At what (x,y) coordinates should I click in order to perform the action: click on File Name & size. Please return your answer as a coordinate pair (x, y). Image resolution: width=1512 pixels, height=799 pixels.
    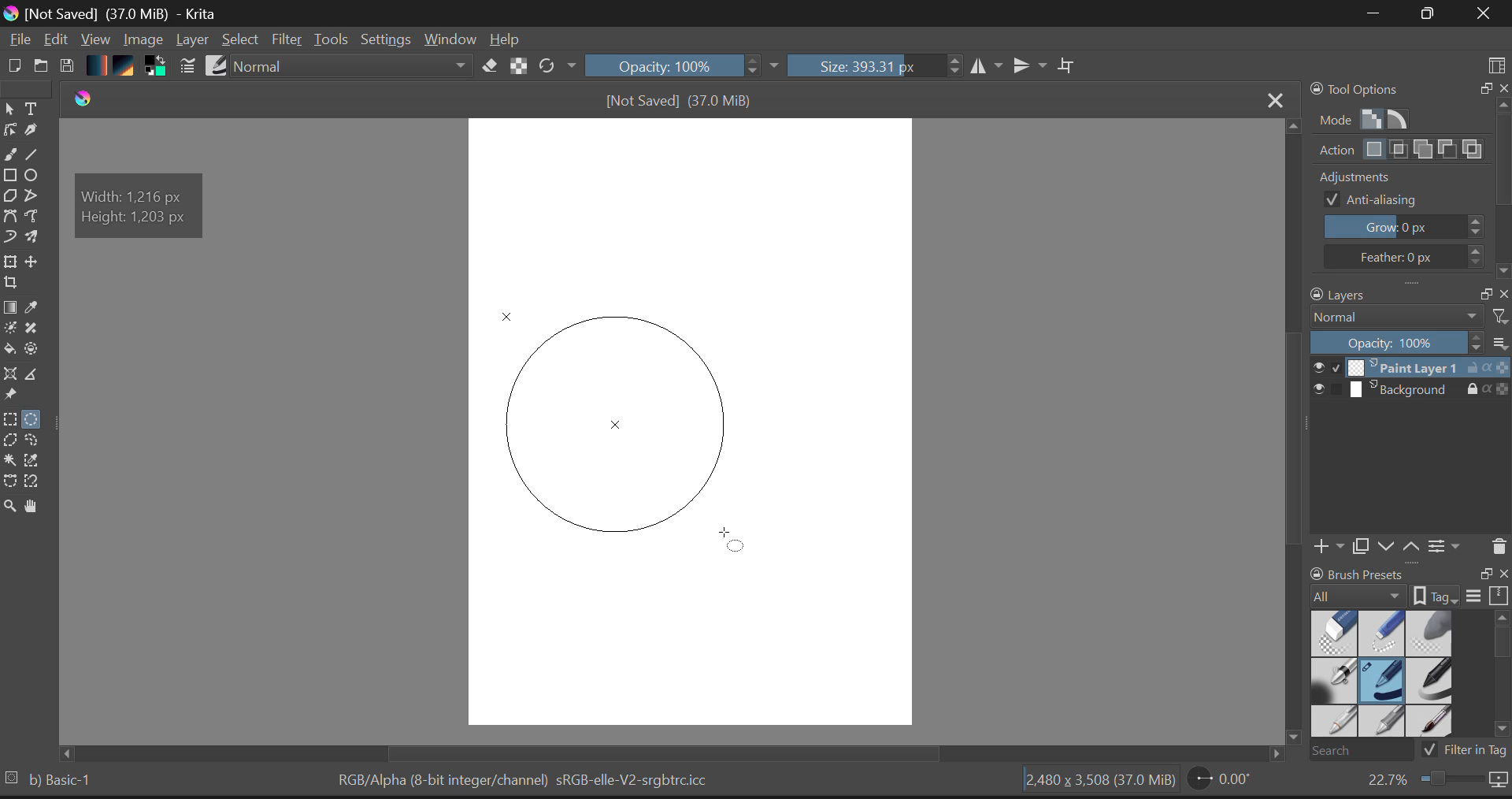
    Looking at the image, I should click on (679, 100).